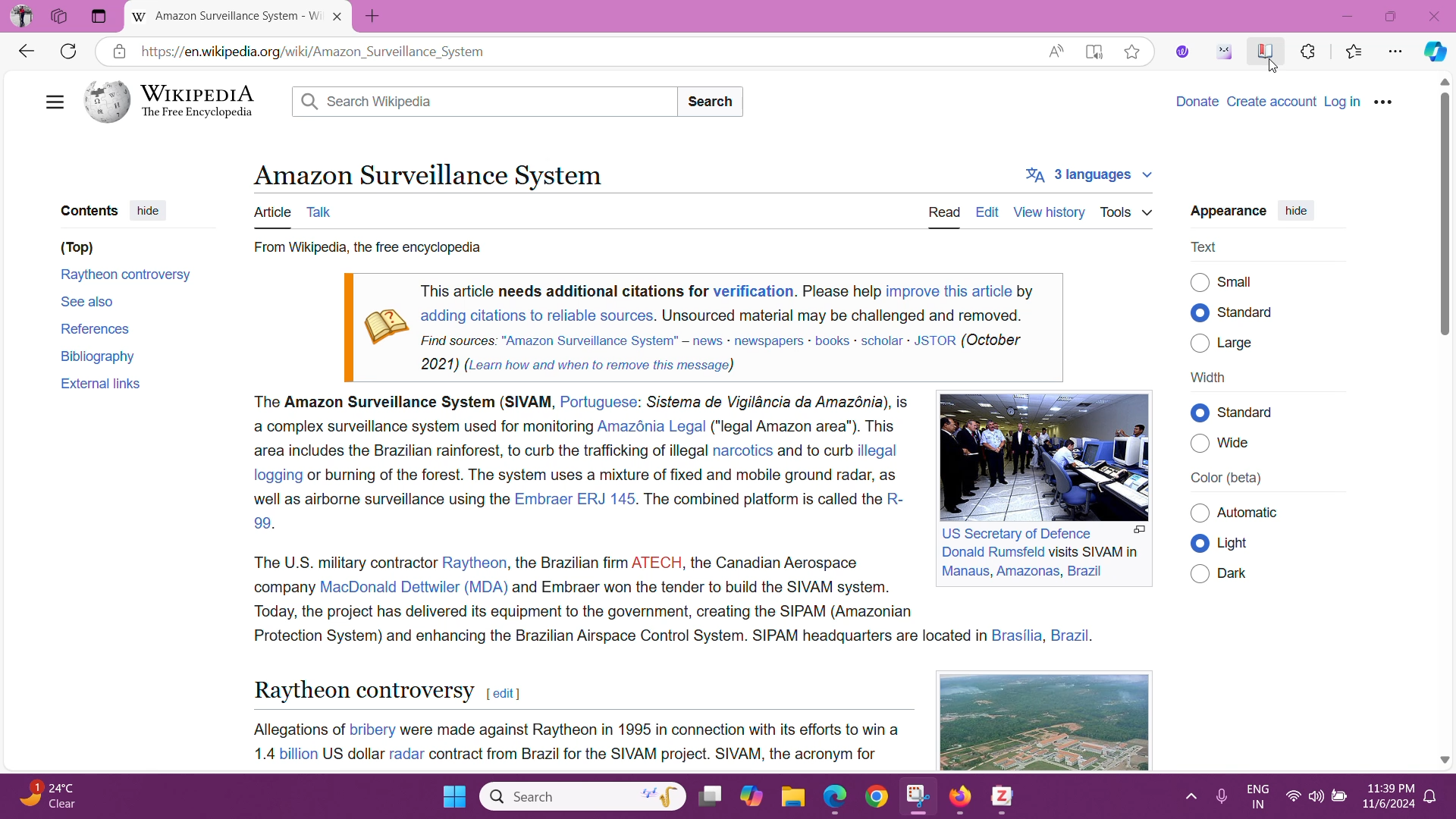  Describe the element at coordinates (99, 17) in the screenshot. I see `tab actions menu` at that location.